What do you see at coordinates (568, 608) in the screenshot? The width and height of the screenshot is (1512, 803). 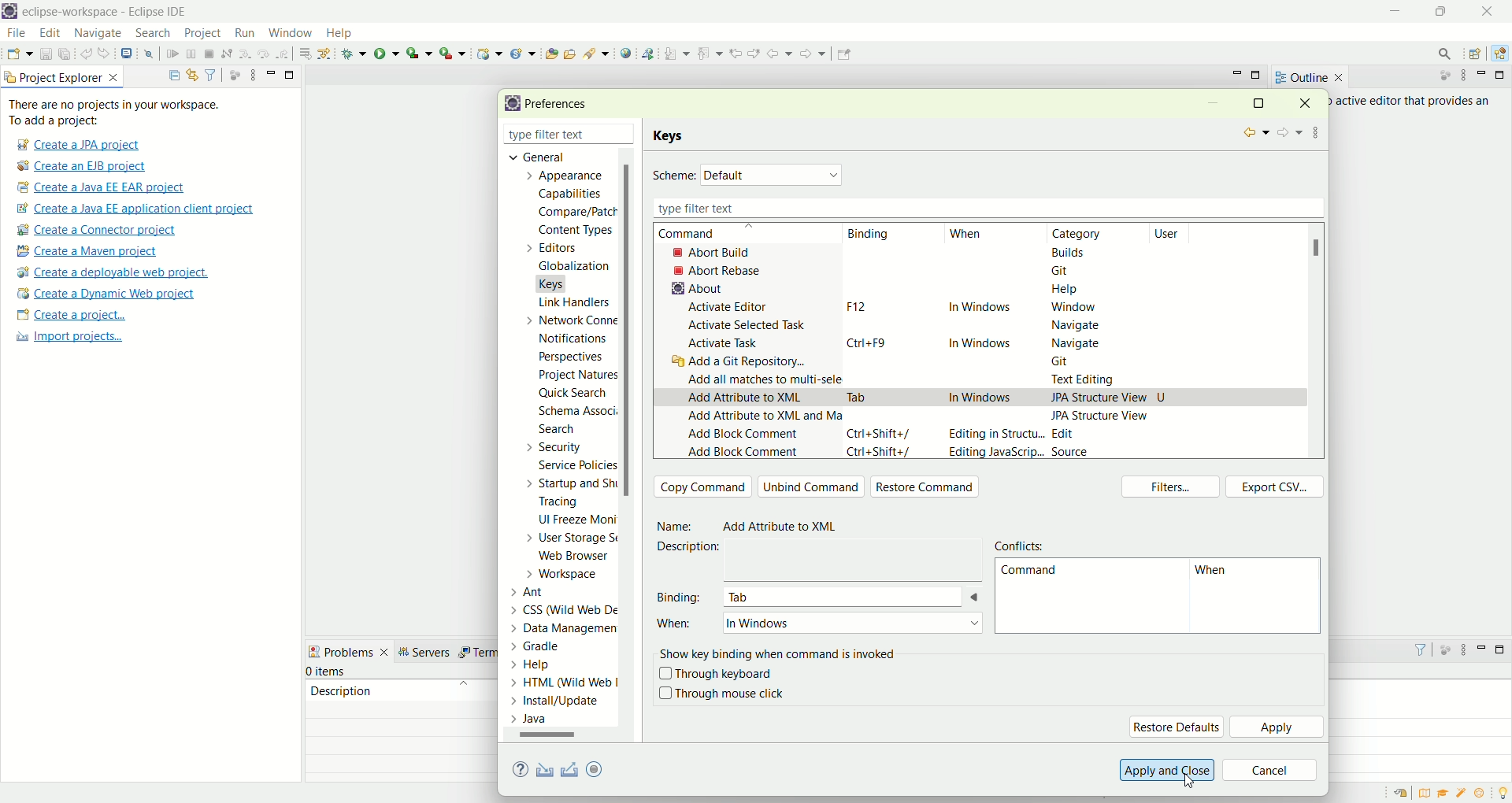 I see `CSS (Wild Web De` at bounding box center [568, 608].